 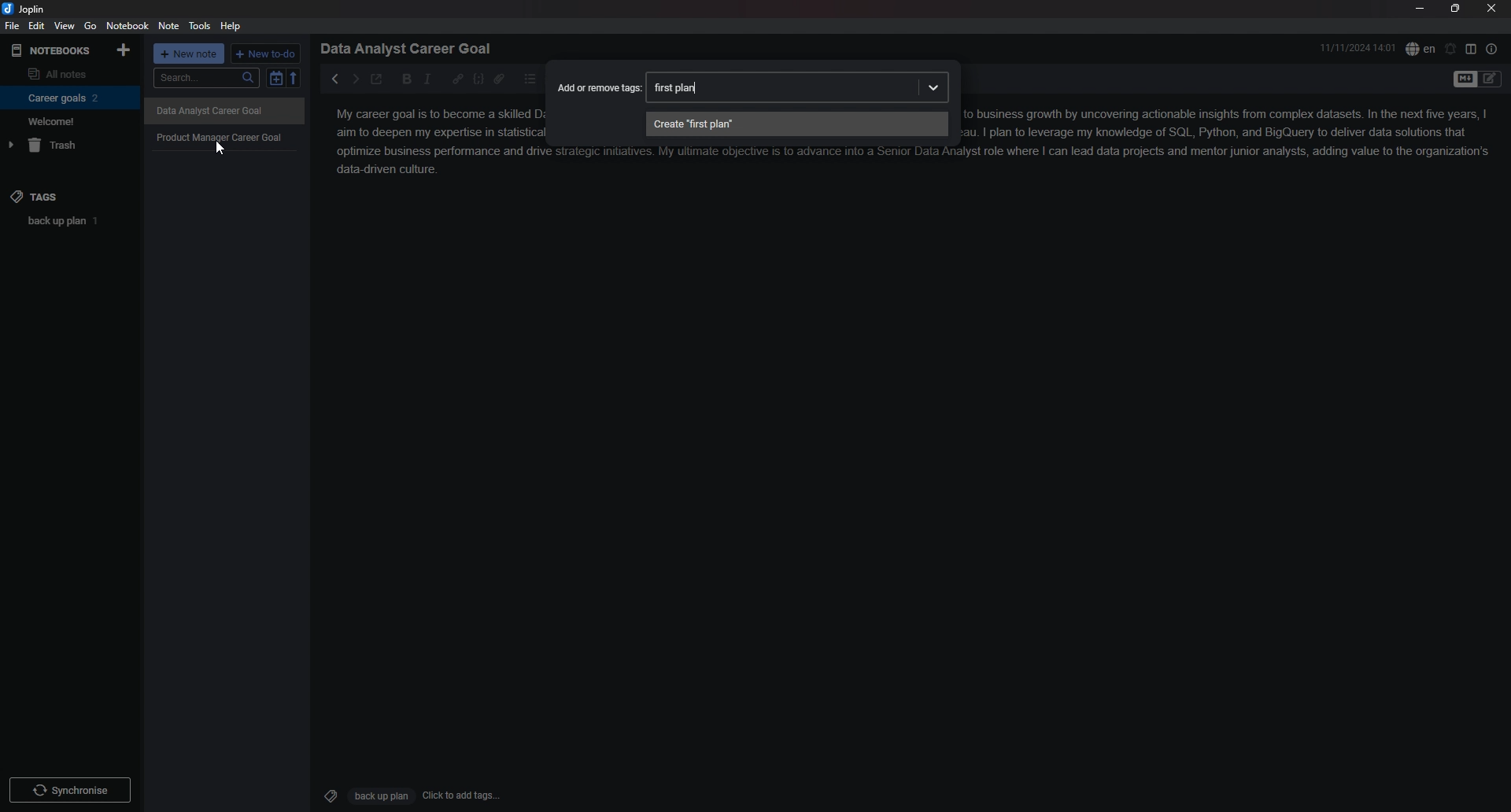 What do you see at coordinates (478, 79) in the screenshot?
I see `code` at bounding box center [478, 79].